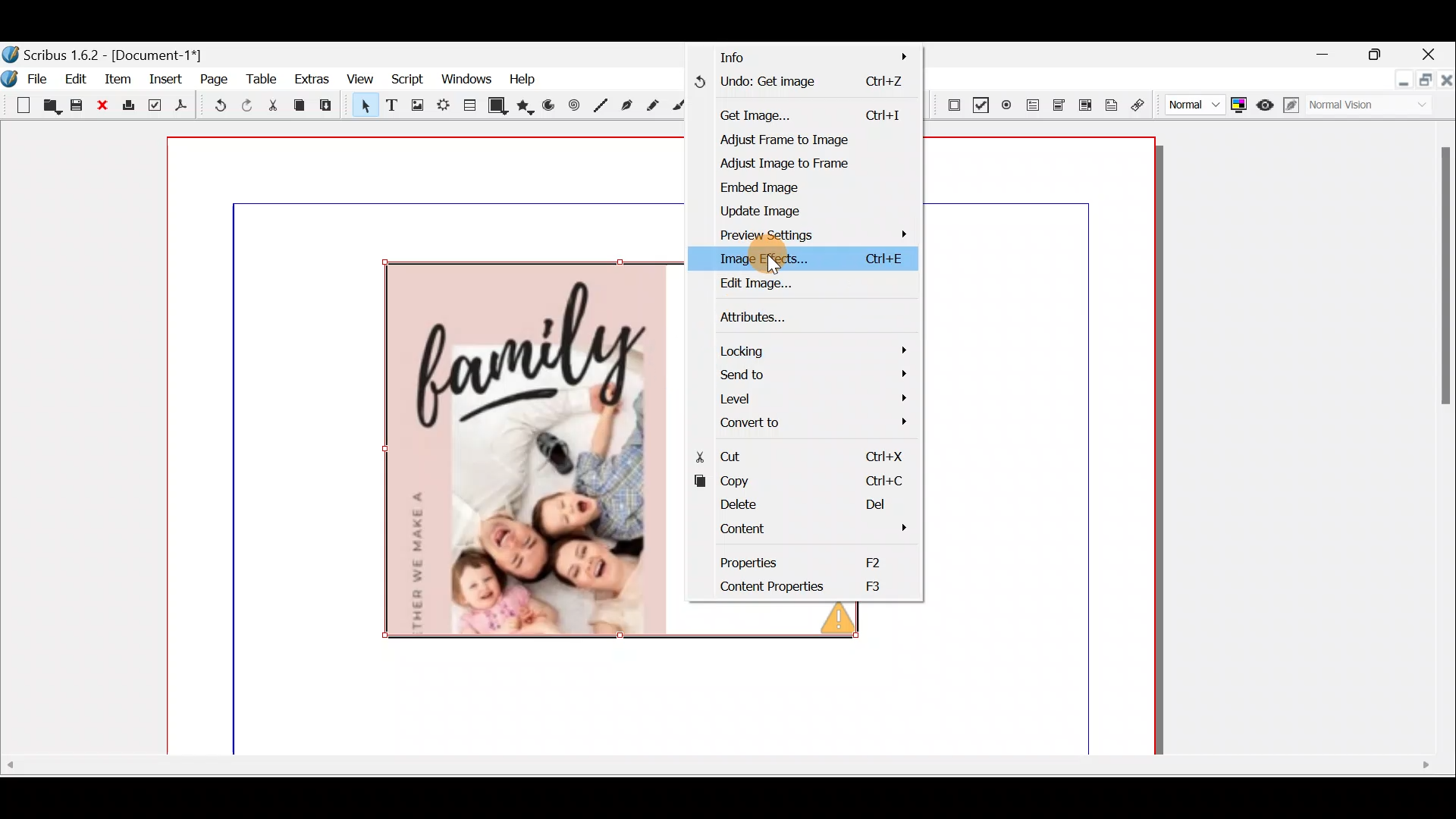  Describe the element at coordinates (1447, 83) in the screenshot. I see `Close` at that location.